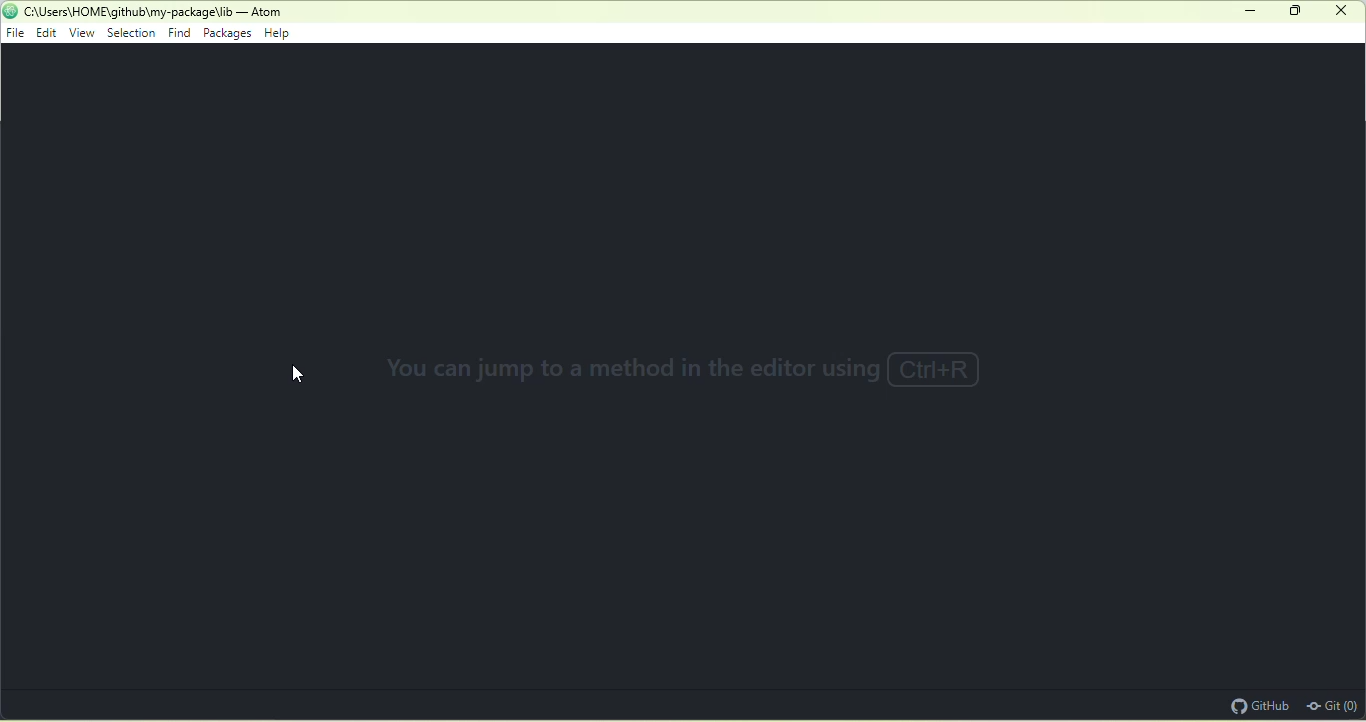 Image resolution: width=1366 pixels, height=722 pixels. What do you see at coordinates (228, 35) in the screenshot?
I see `packages` at bounding box center [228, 35].